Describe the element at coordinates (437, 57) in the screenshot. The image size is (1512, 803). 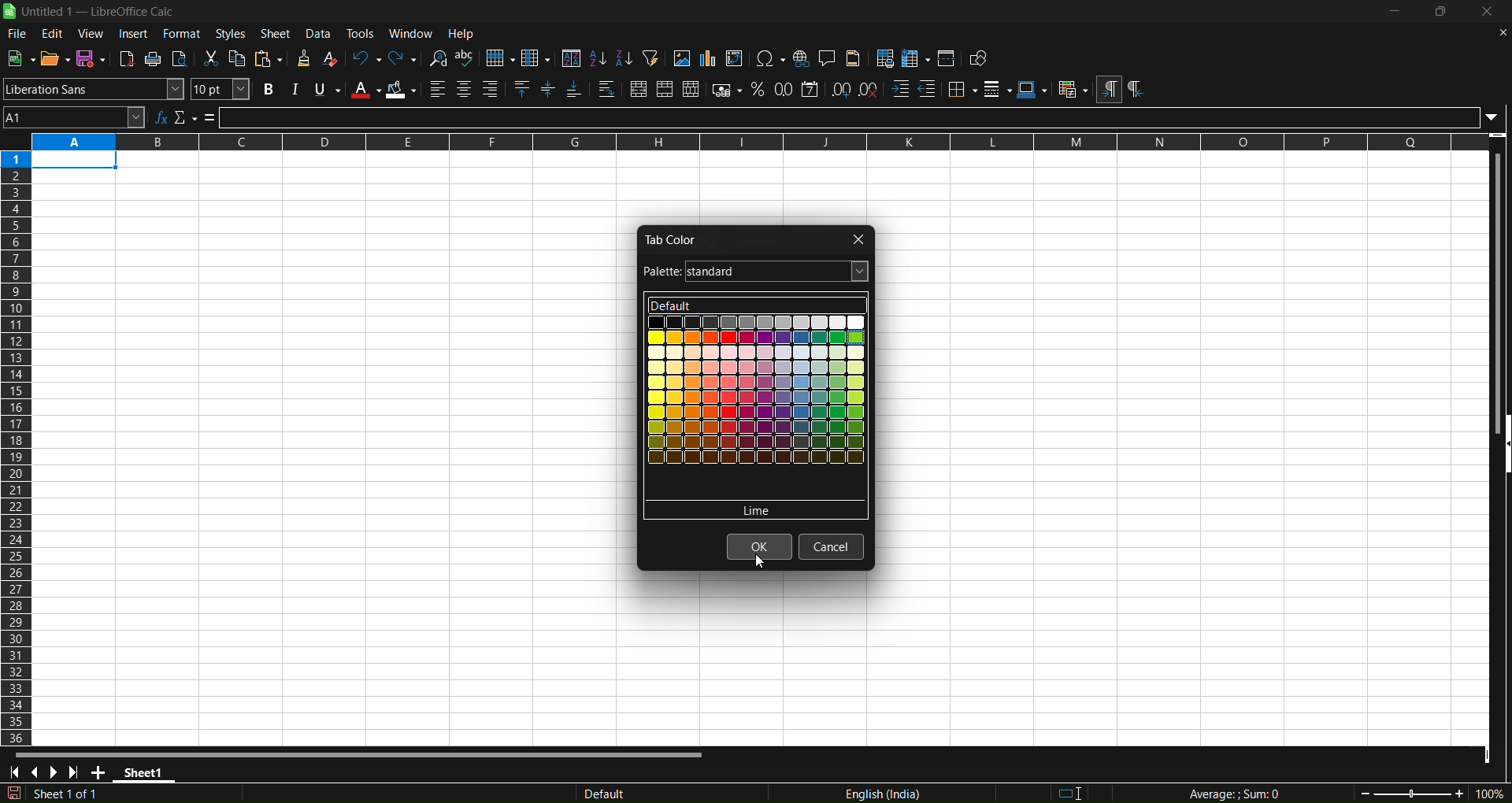
I see `find and replace` at that location.